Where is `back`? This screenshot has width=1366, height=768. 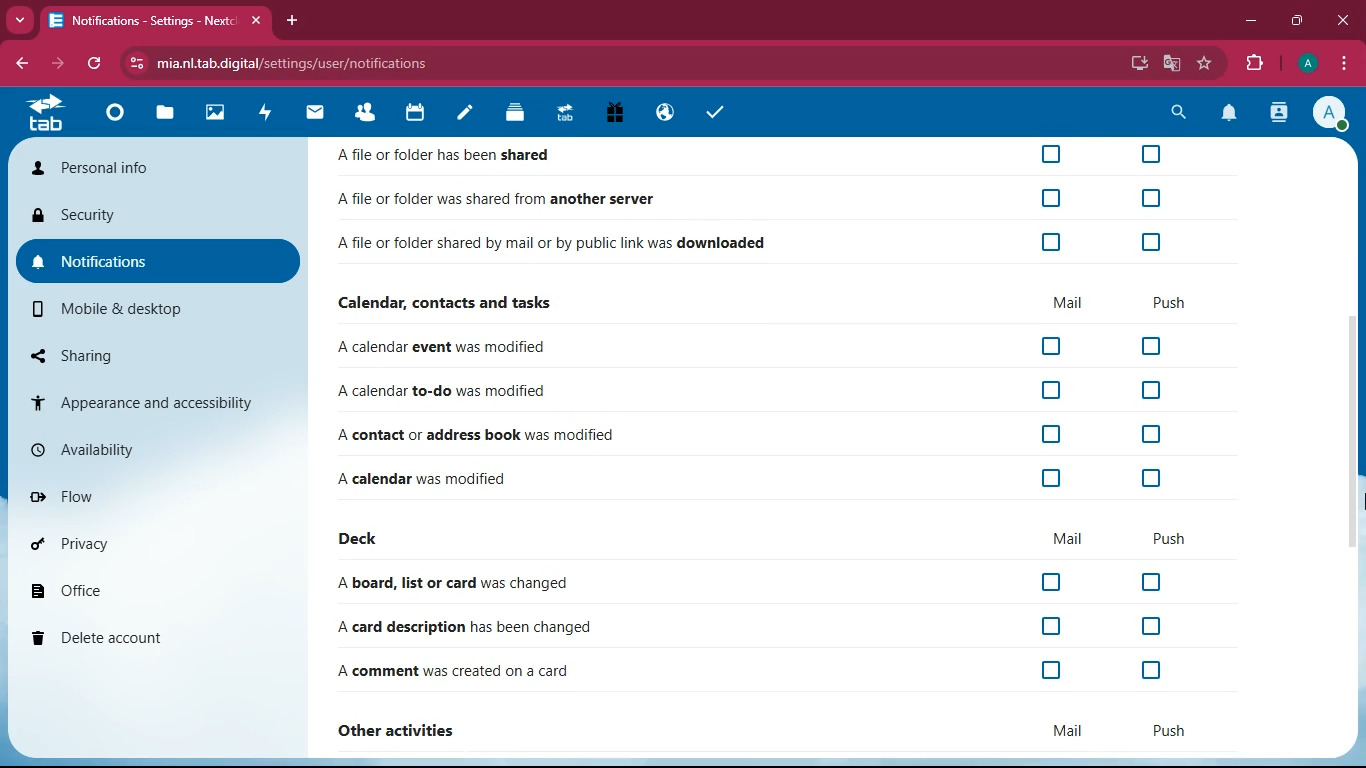 back is located at coordinates (22, 63).